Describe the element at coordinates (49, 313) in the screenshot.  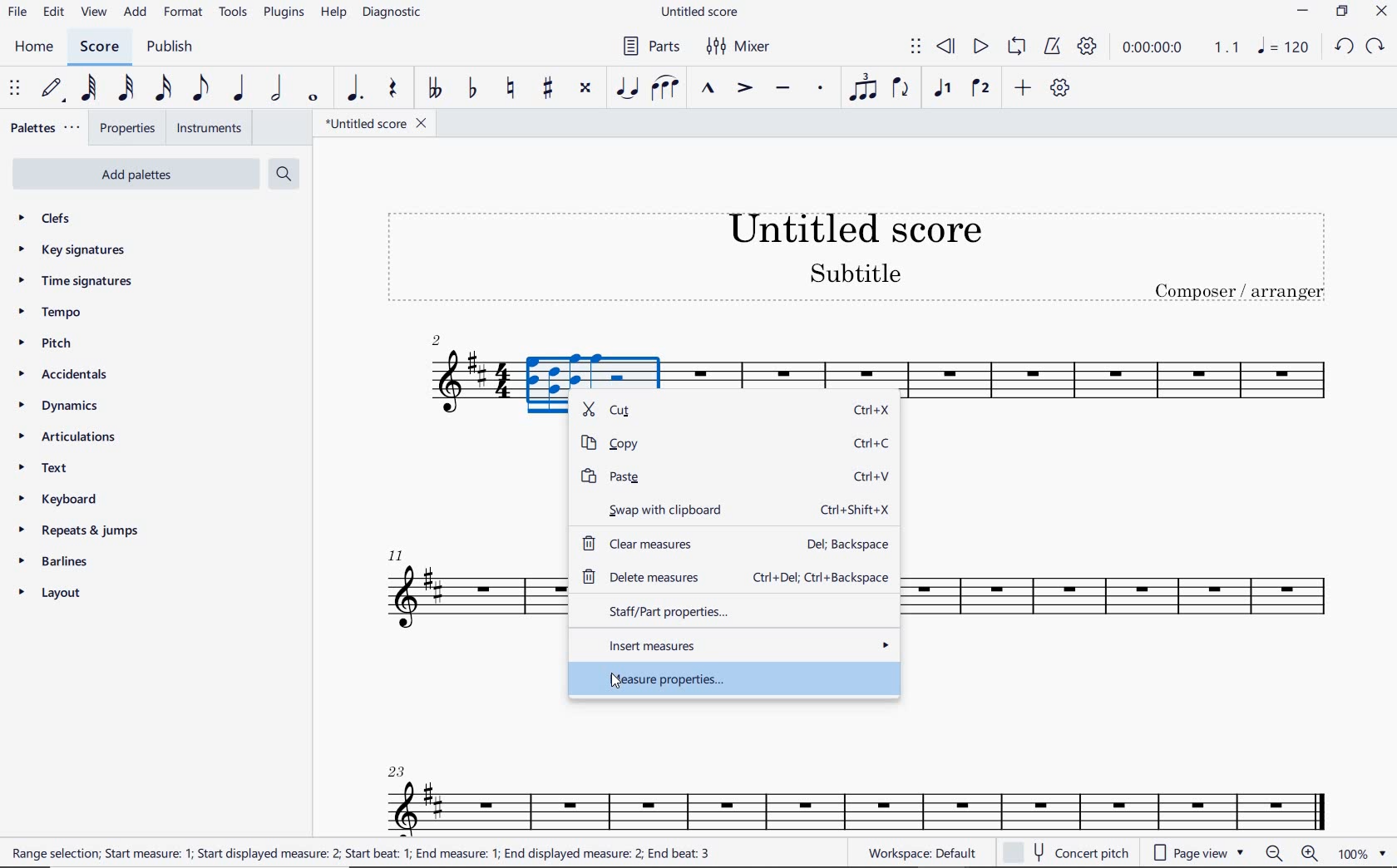
I see `TEMPO` at that location.